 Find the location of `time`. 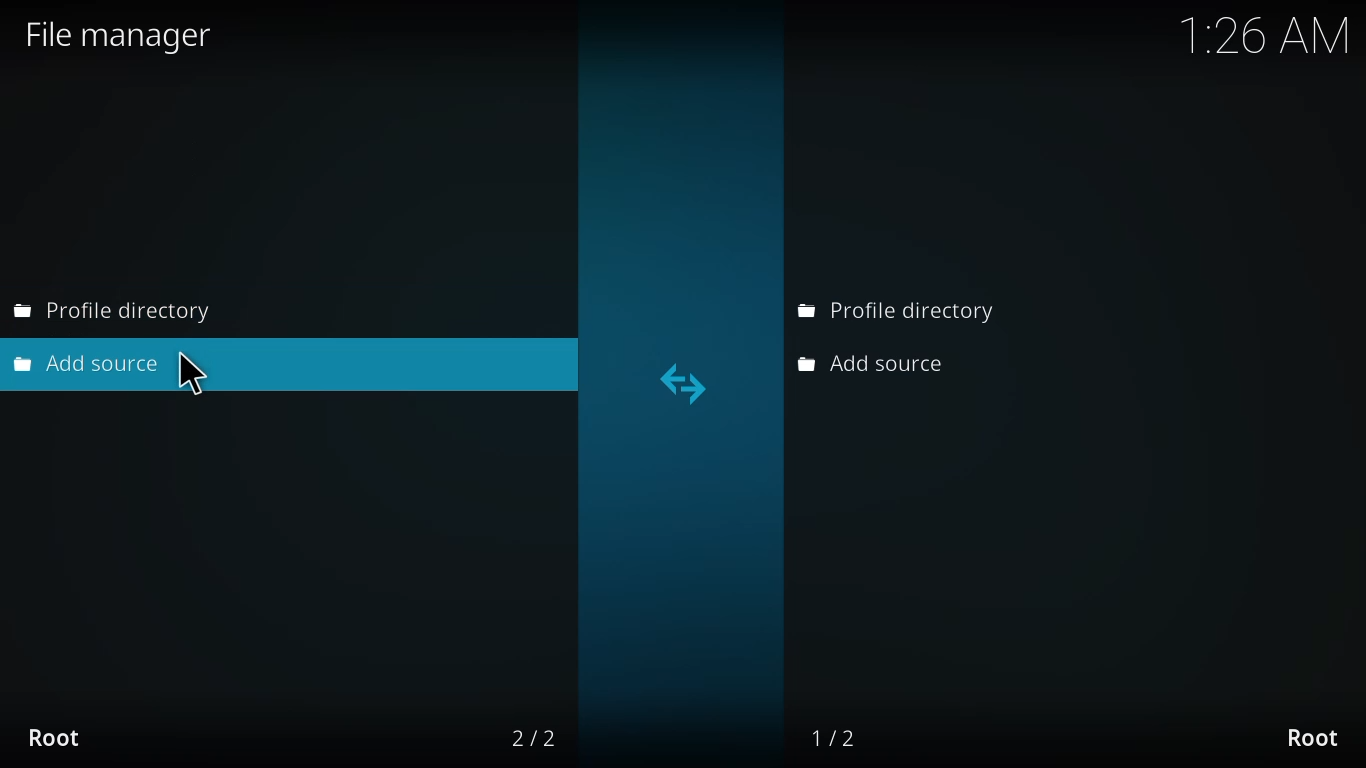

time is located at coordinates (197, 383).